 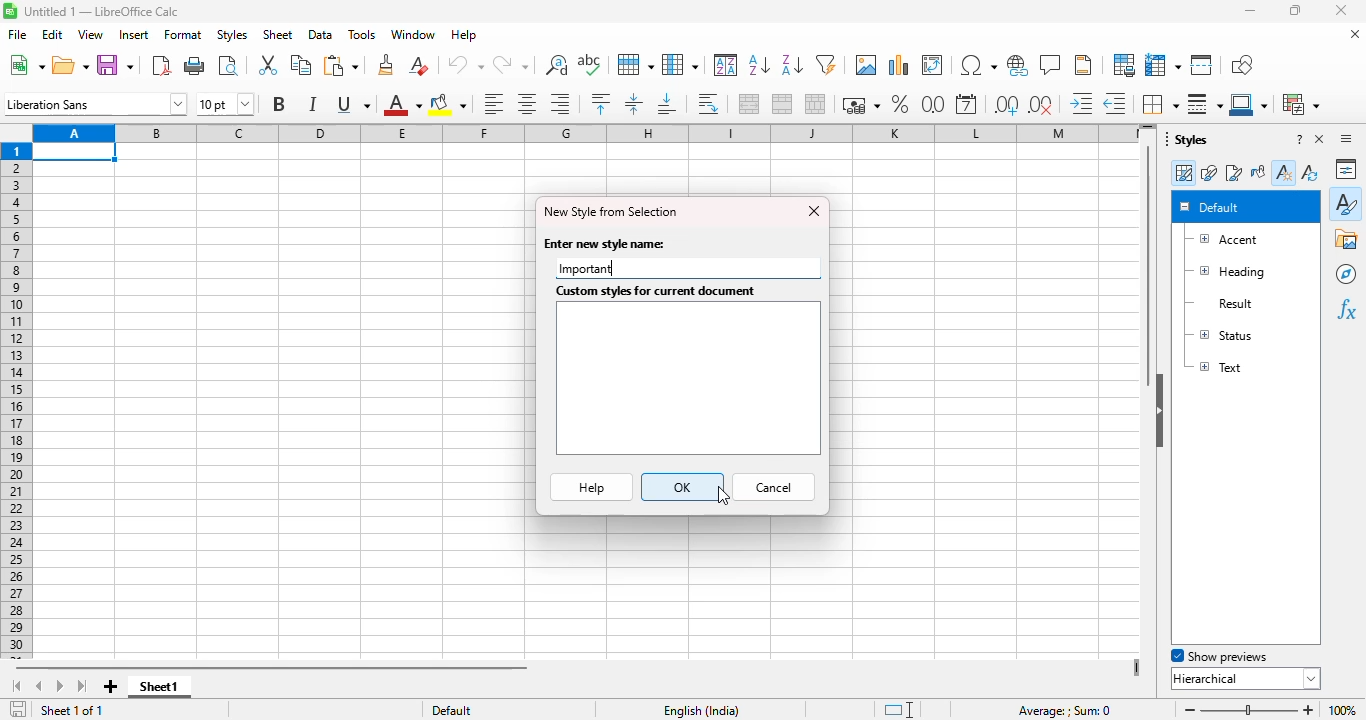 What do you see at coordinates (1220, 334) in the screenshot?
I see `status` at bounding box center [1220, 334].